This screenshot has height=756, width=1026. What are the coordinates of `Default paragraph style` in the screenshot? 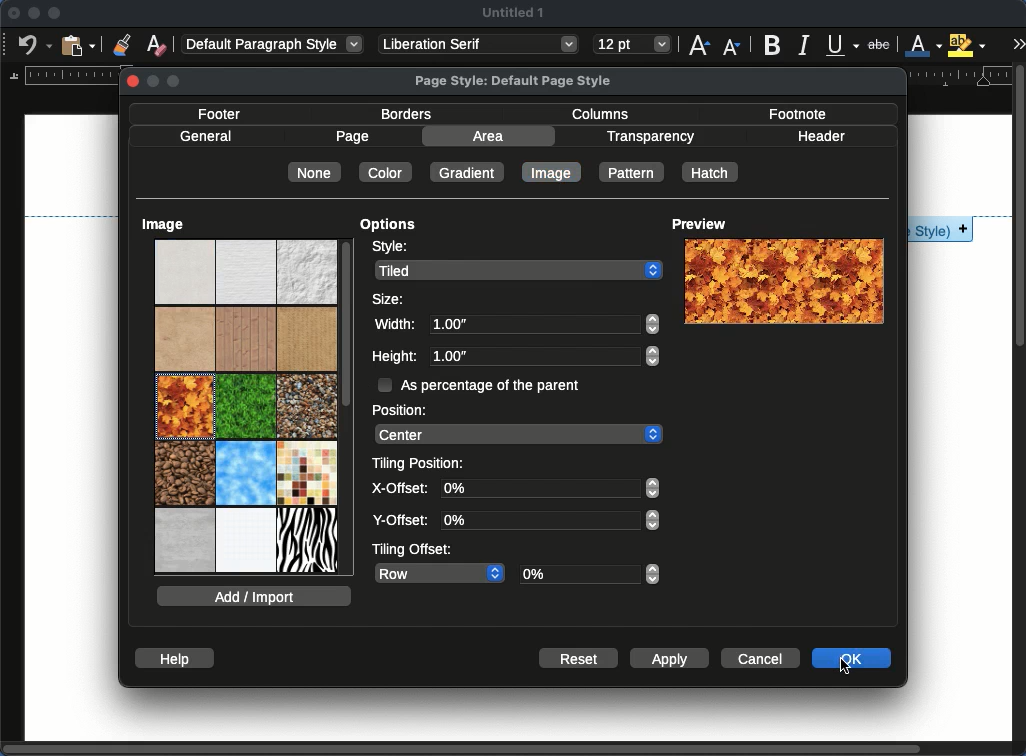 It's located at (272, 44).